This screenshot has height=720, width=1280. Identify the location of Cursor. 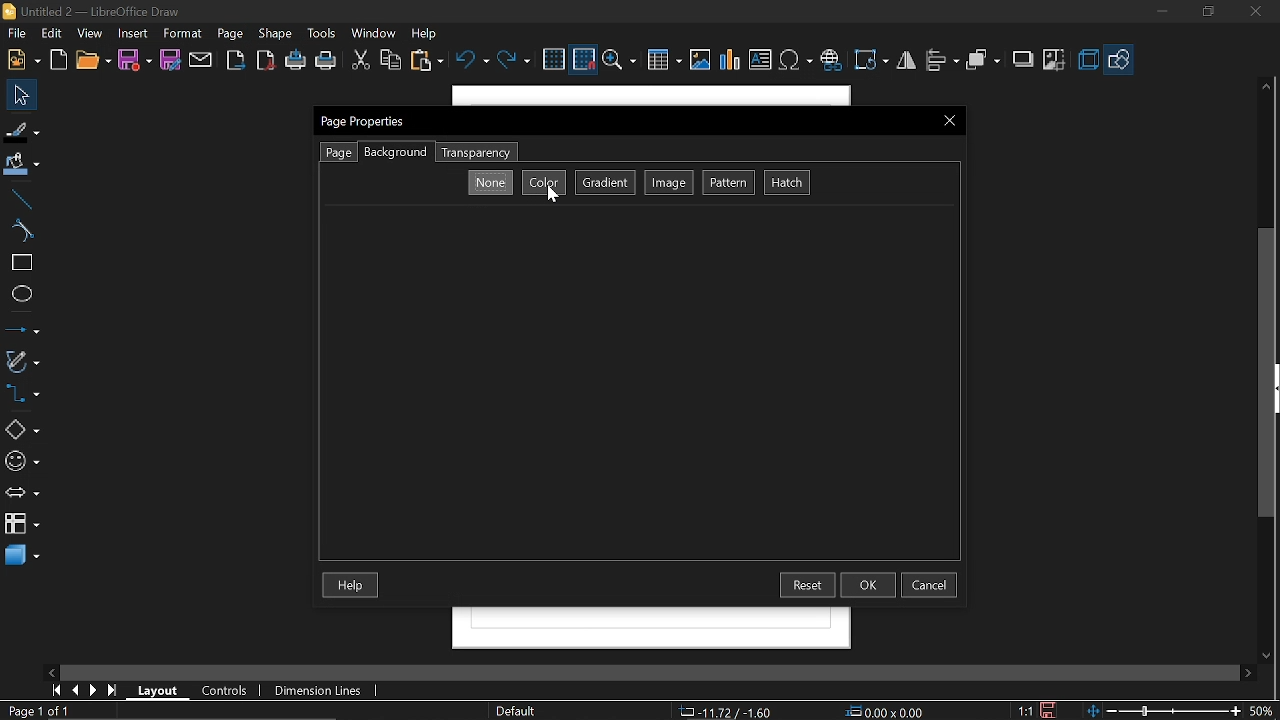
(551, 196).